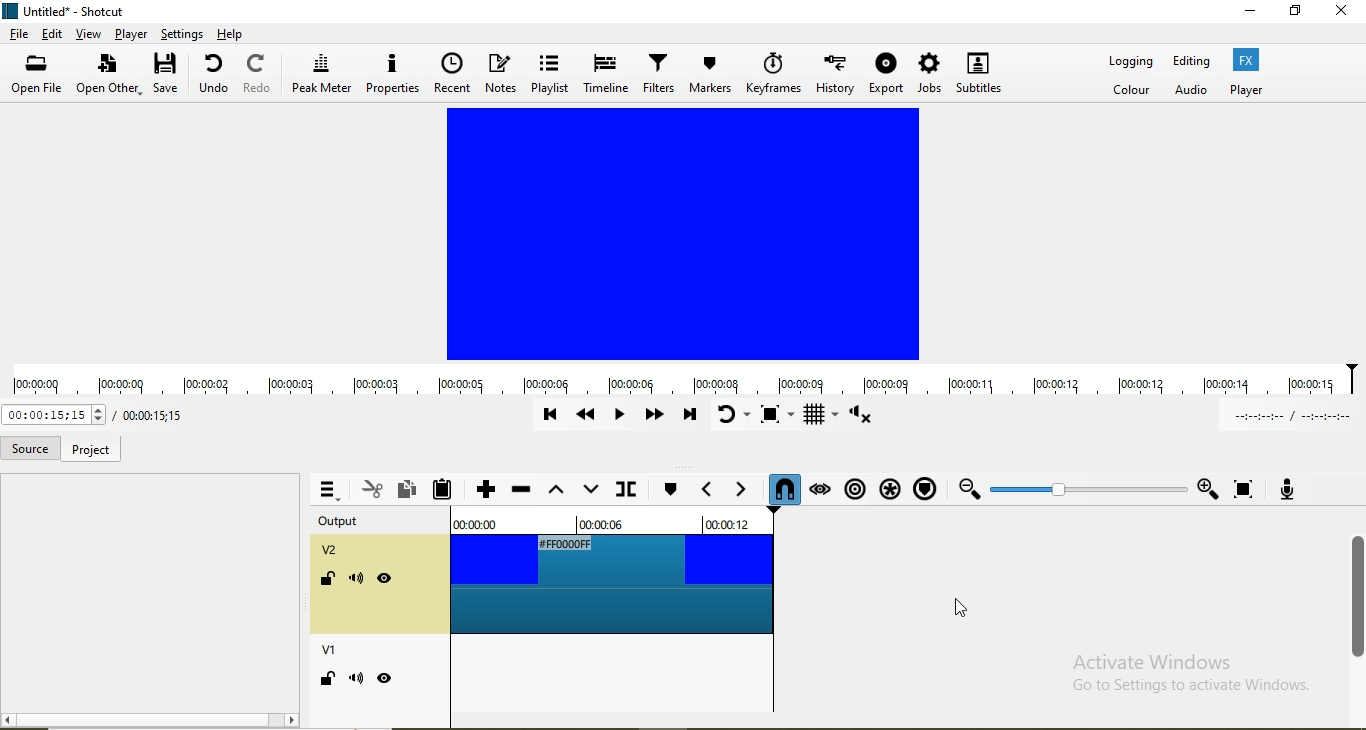 The image size is (1366, 730). What do you see at coordinates (836, 71) in the screenshot?
I see `history` at bounding box center [836, 71].